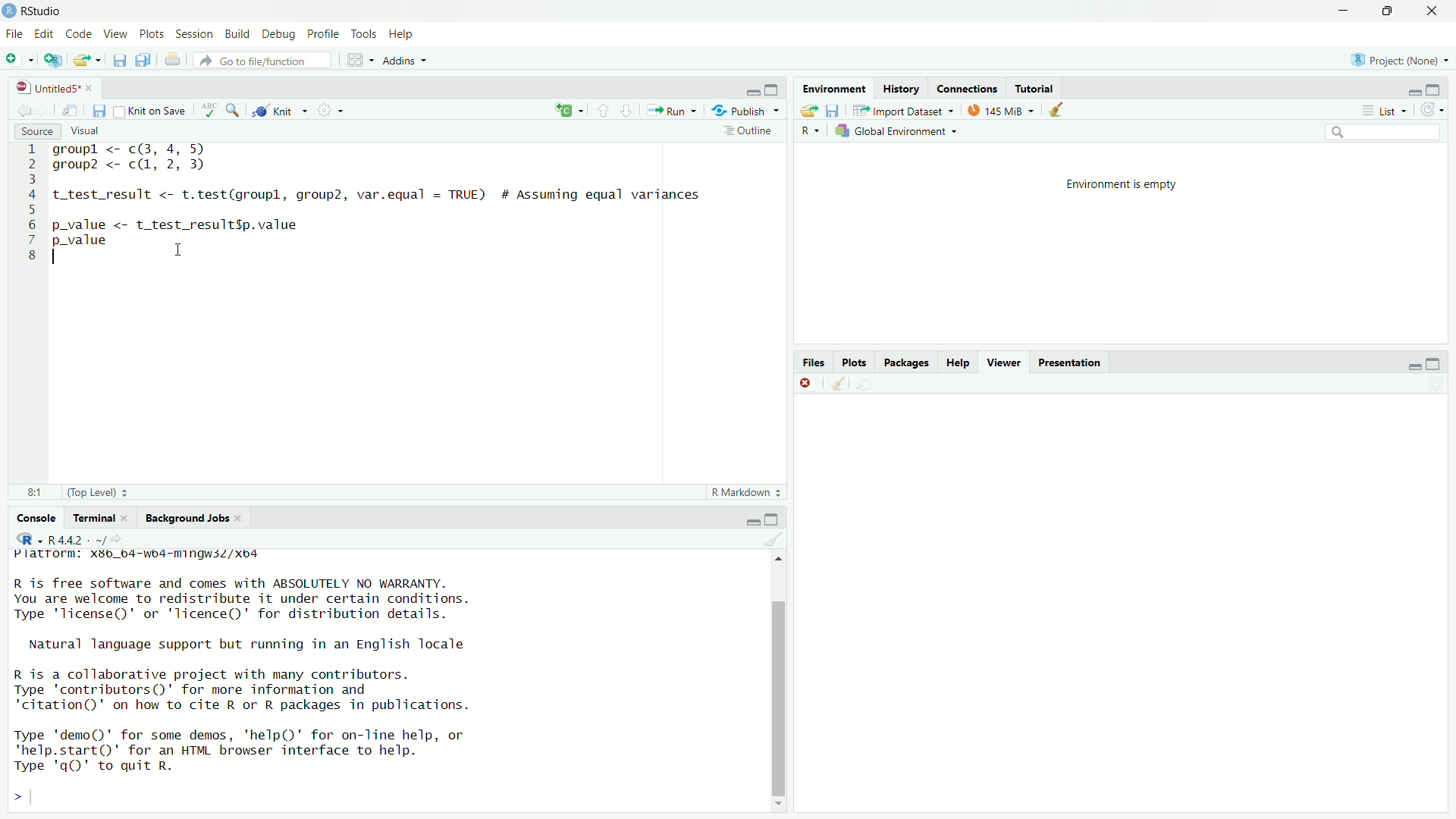 Image resolution: width=1456 pixels, height=819 pixels. I want to click on cursor, so click(61, 256).